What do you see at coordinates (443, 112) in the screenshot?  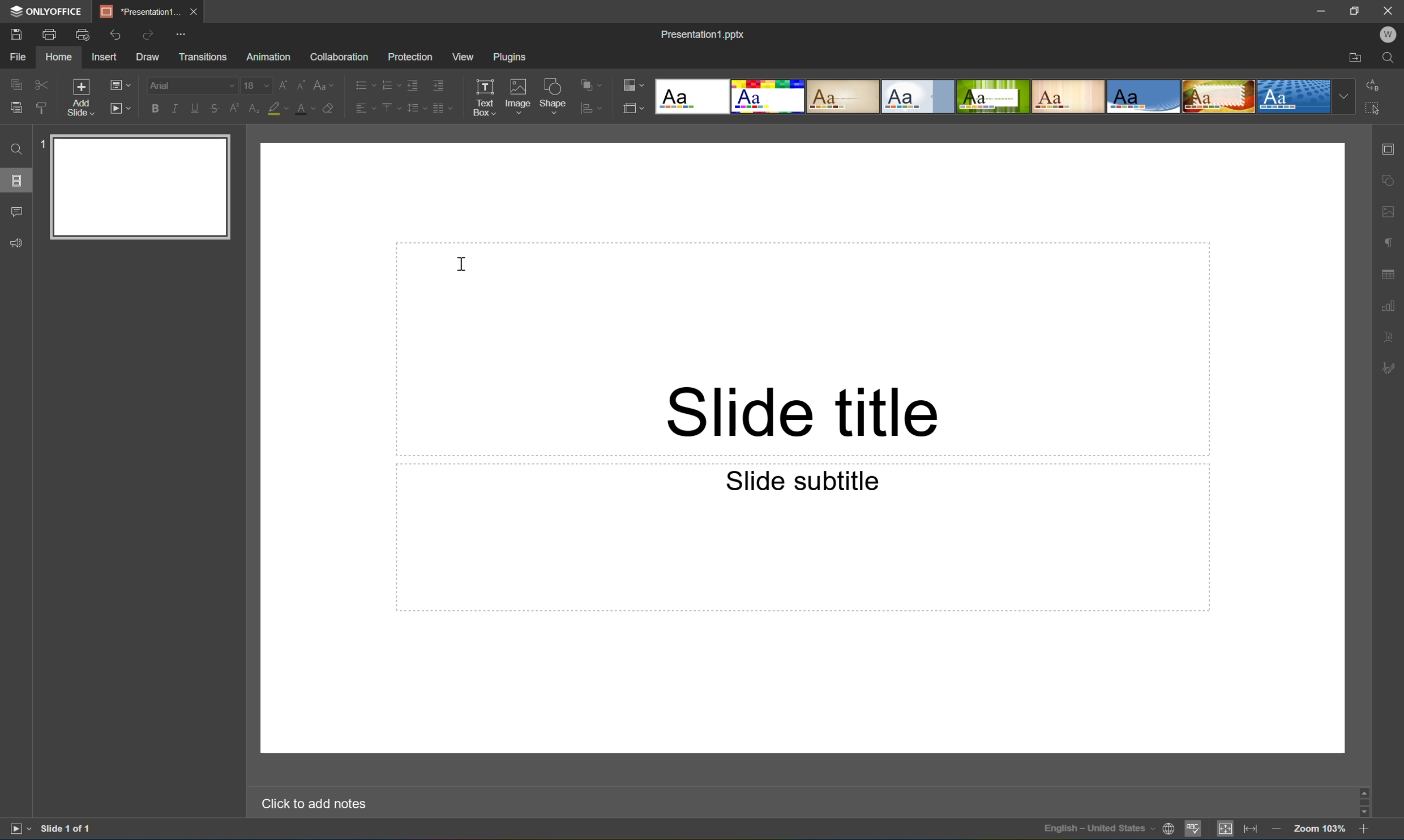 I see `Insert columns` at bounding box center [443, 112].